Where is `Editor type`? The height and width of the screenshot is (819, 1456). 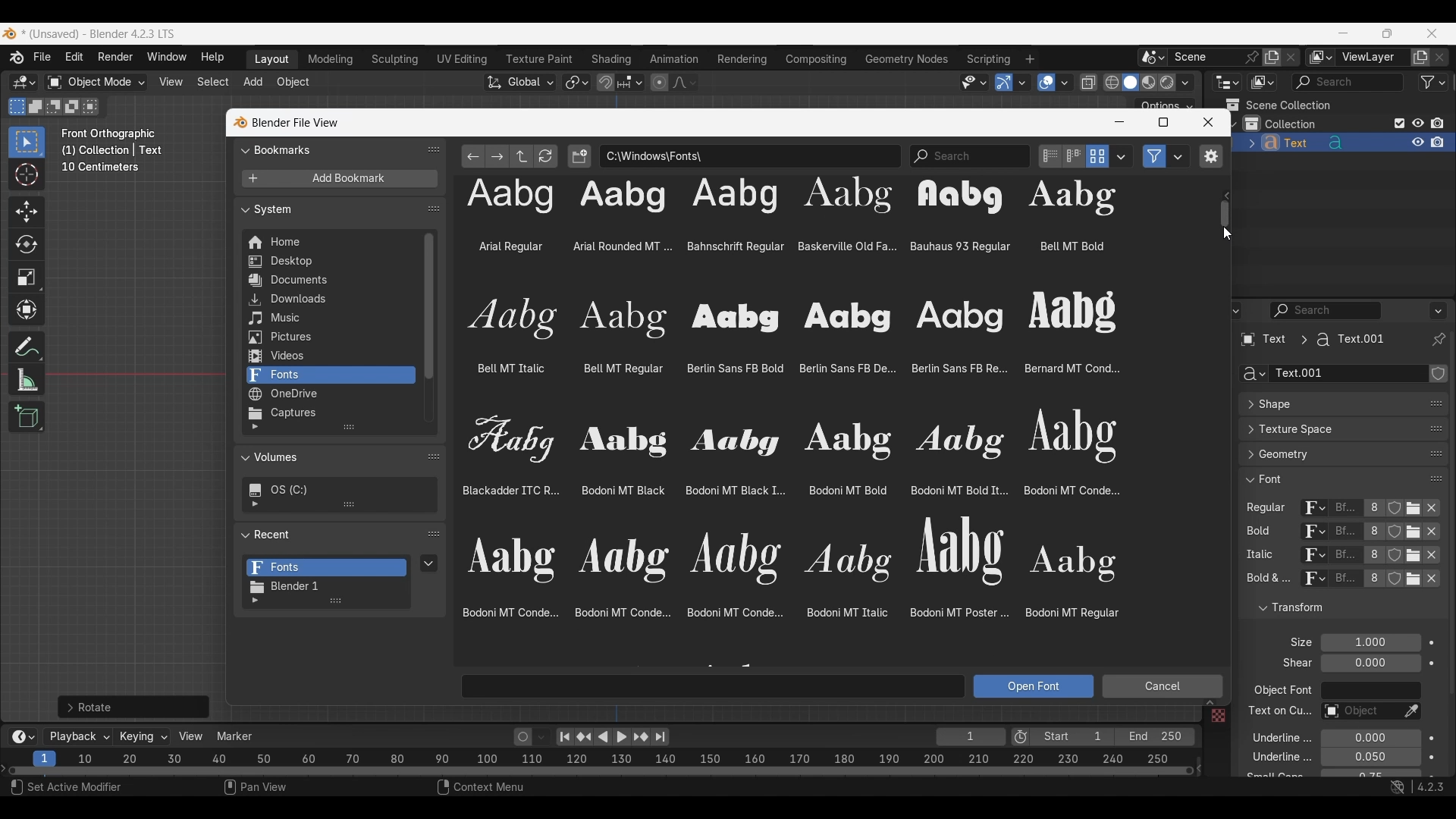
Editor type is located at coordinates (1227, 82).